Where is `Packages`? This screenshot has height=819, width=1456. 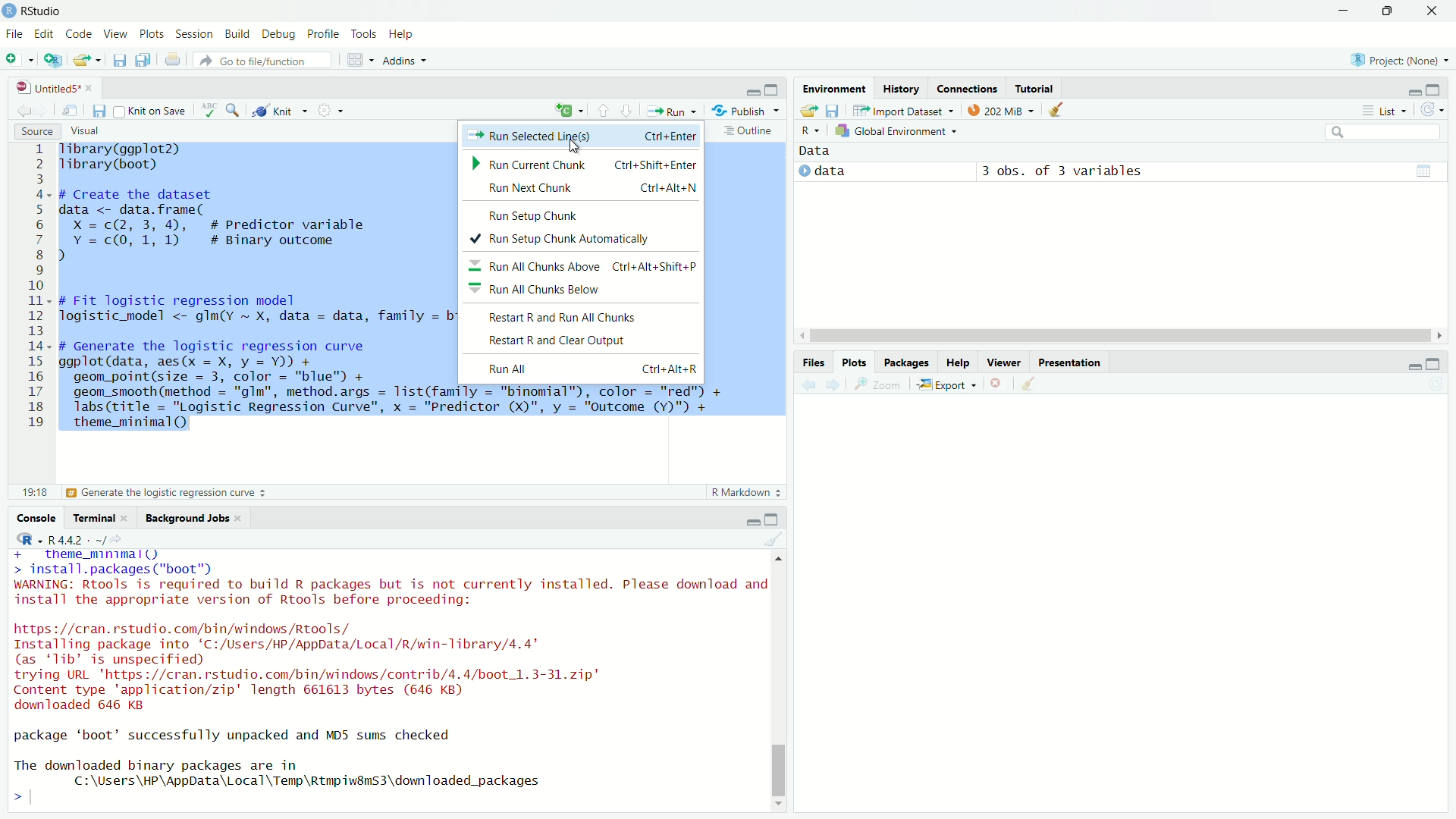 Packages is located at coordinates (905, 361).